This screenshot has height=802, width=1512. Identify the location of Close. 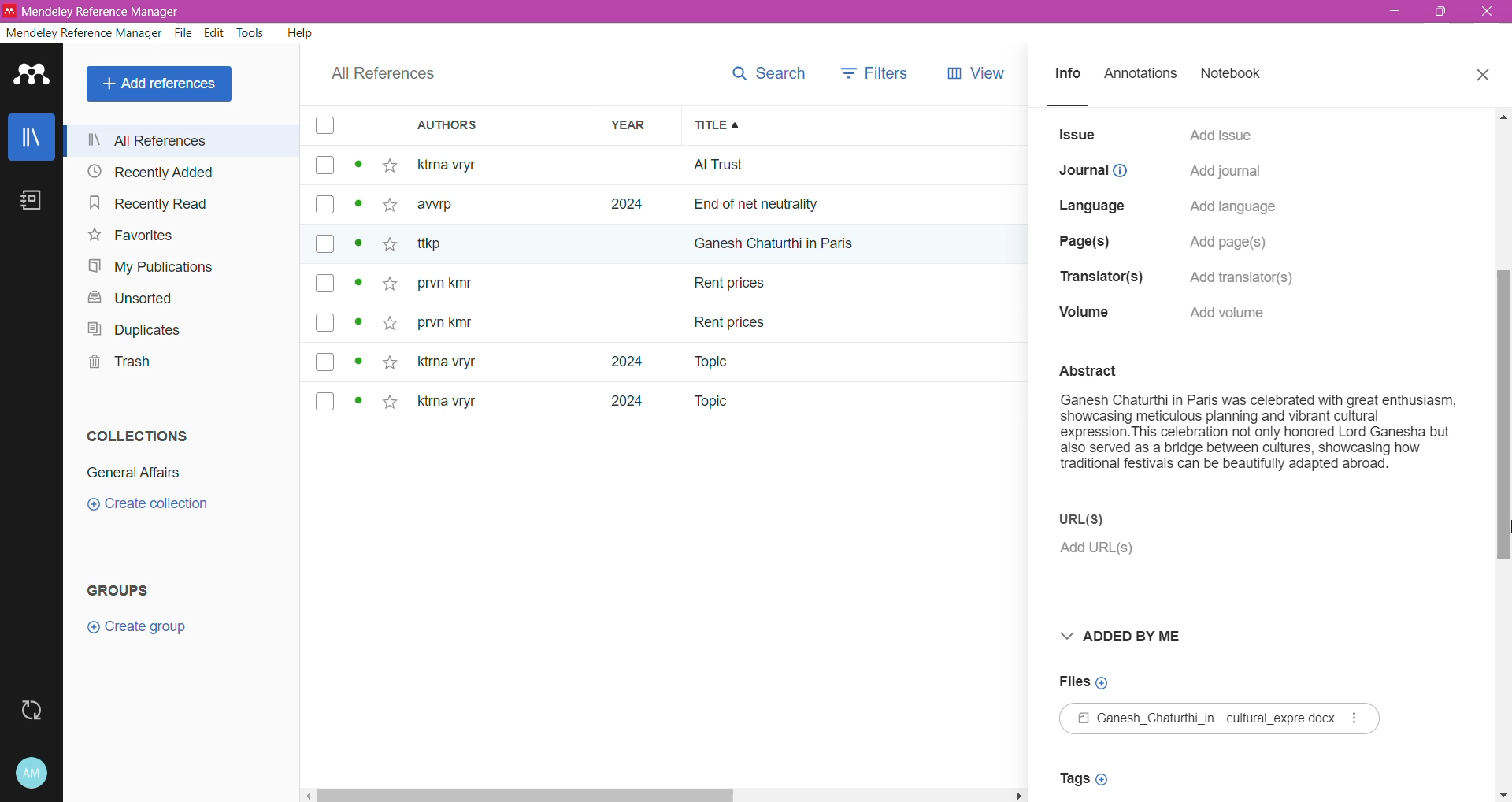
(1484, 76).